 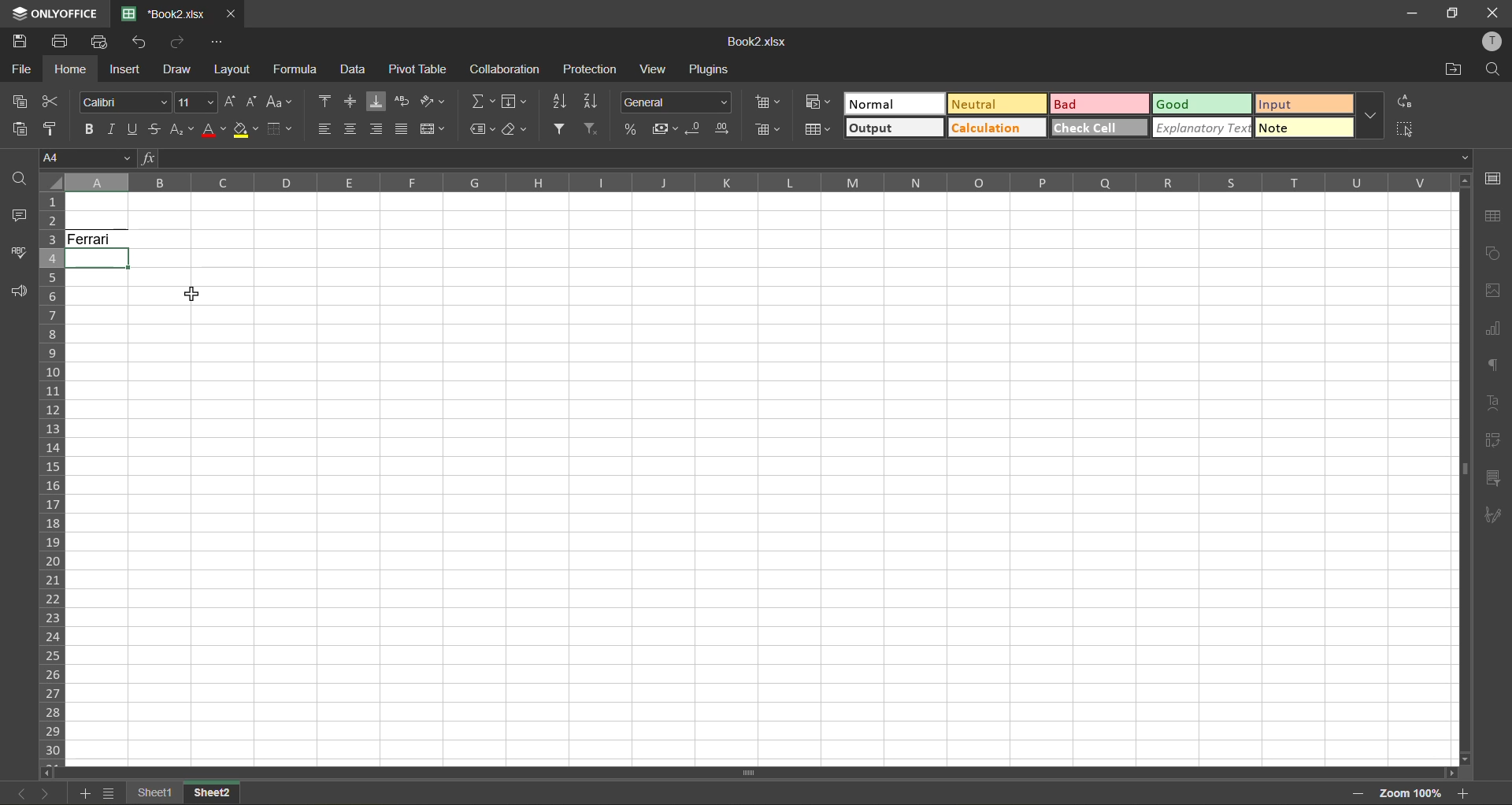 I want to click on layout, so click(x=232, y=71).